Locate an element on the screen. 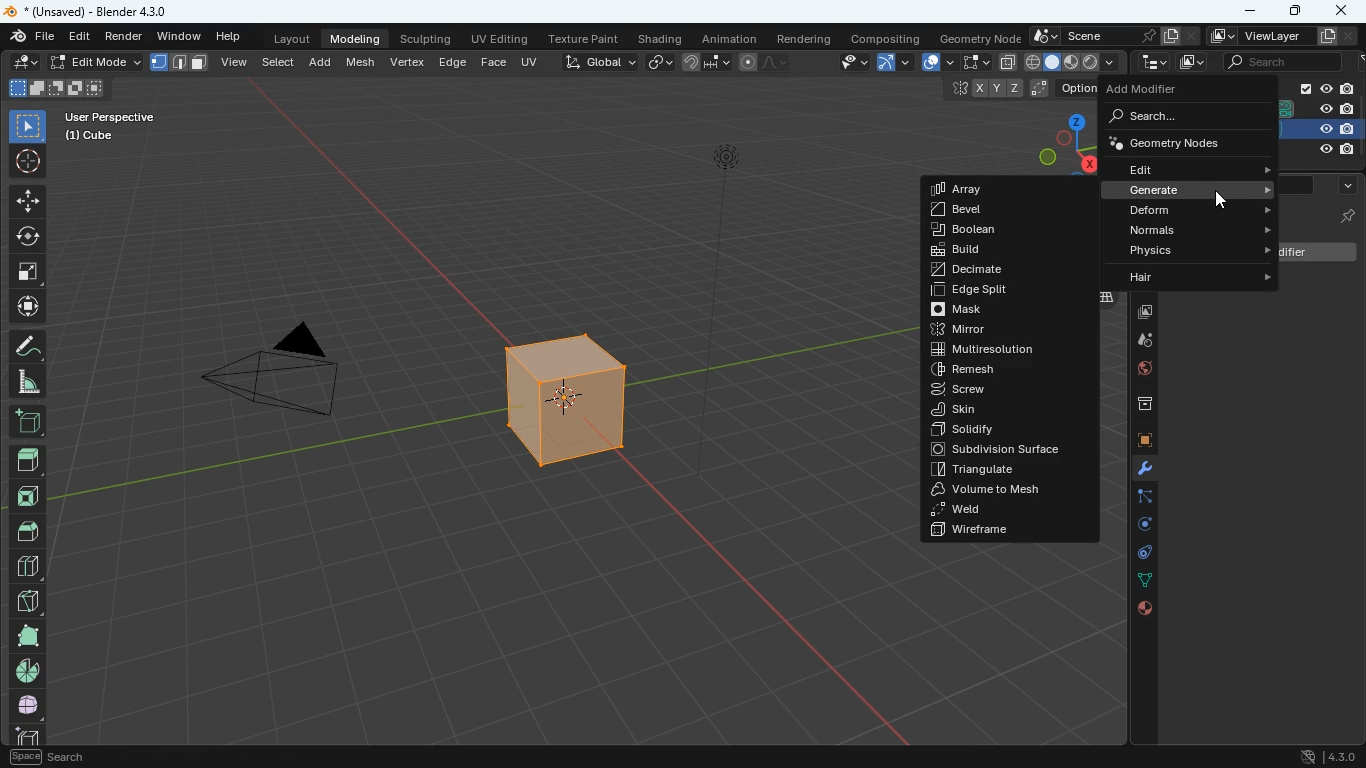 The image size is (1366, 768). subdivision is located at coordinates (1012, 451).